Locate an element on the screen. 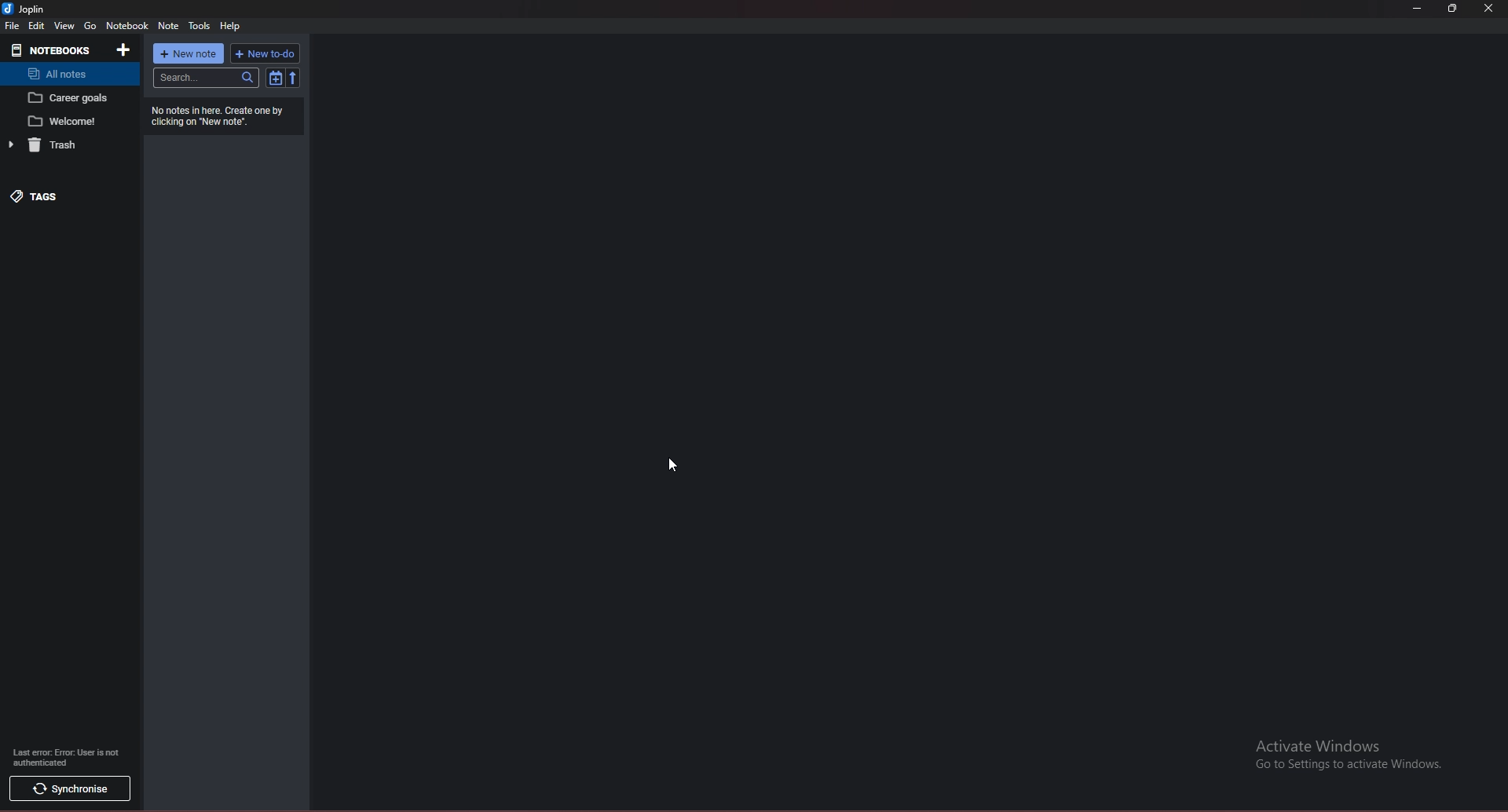 This screenshot has height=812, width=1508. toggle sort order is located at coordinates (276, 77).